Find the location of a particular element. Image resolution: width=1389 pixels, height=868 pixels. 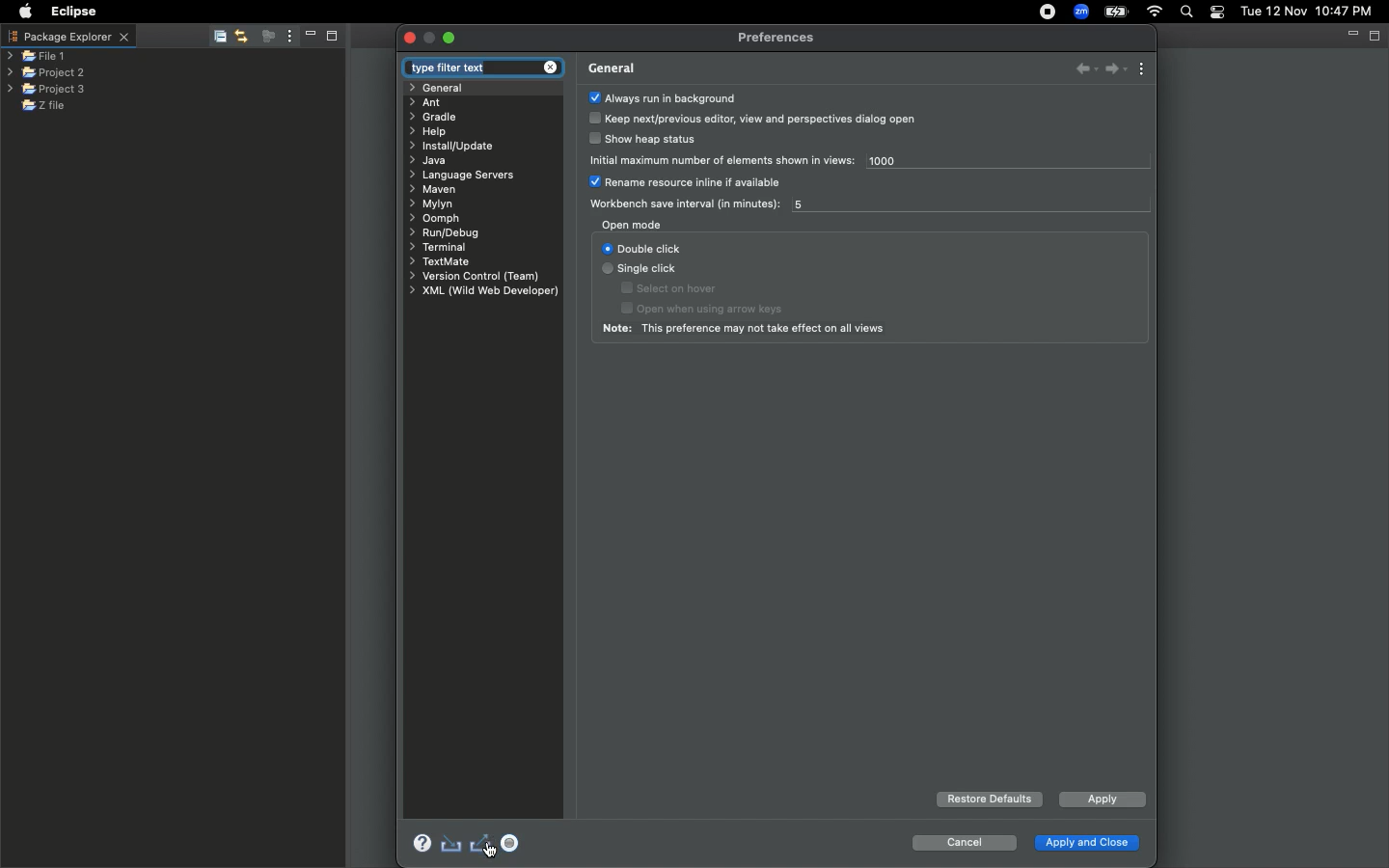

Java is located at coordinates (428, 162).